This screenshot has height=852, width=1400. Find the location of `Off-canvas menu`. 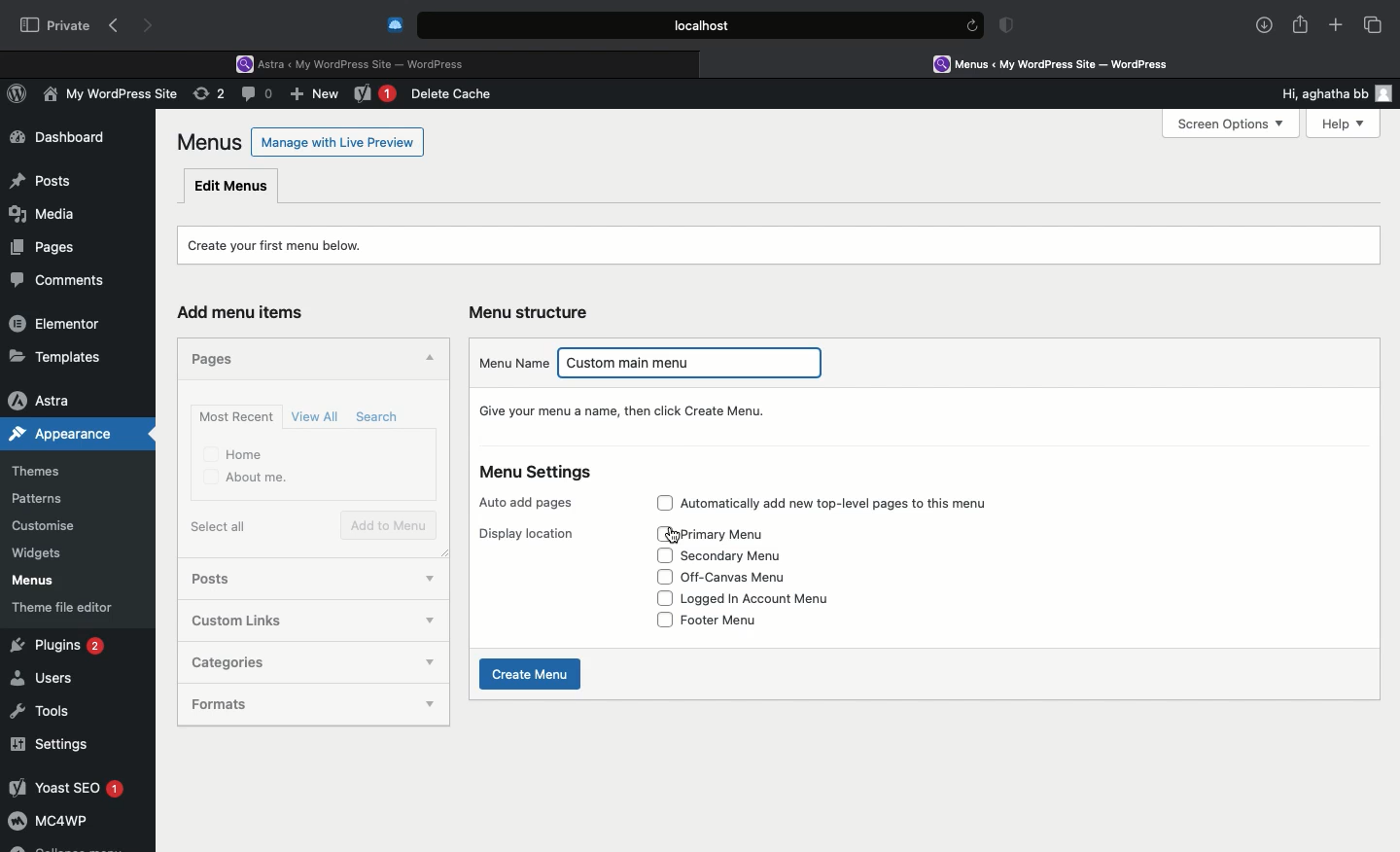

Off-canvas menu is located at coordinates (750, 577).